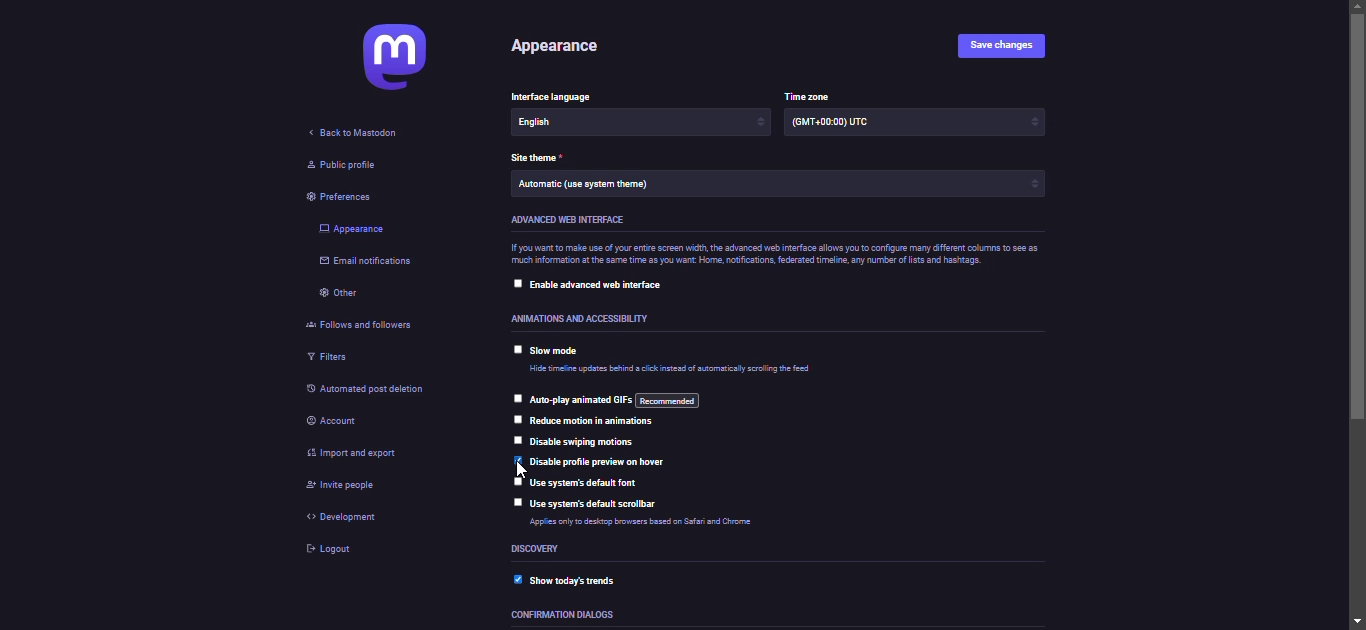 Image resolution: width=1366 pixels, height=630 pixels. What do you see at coordinates (577, 317) in the screenshot?
I see `accessibility` at bounding box center [577, 317].